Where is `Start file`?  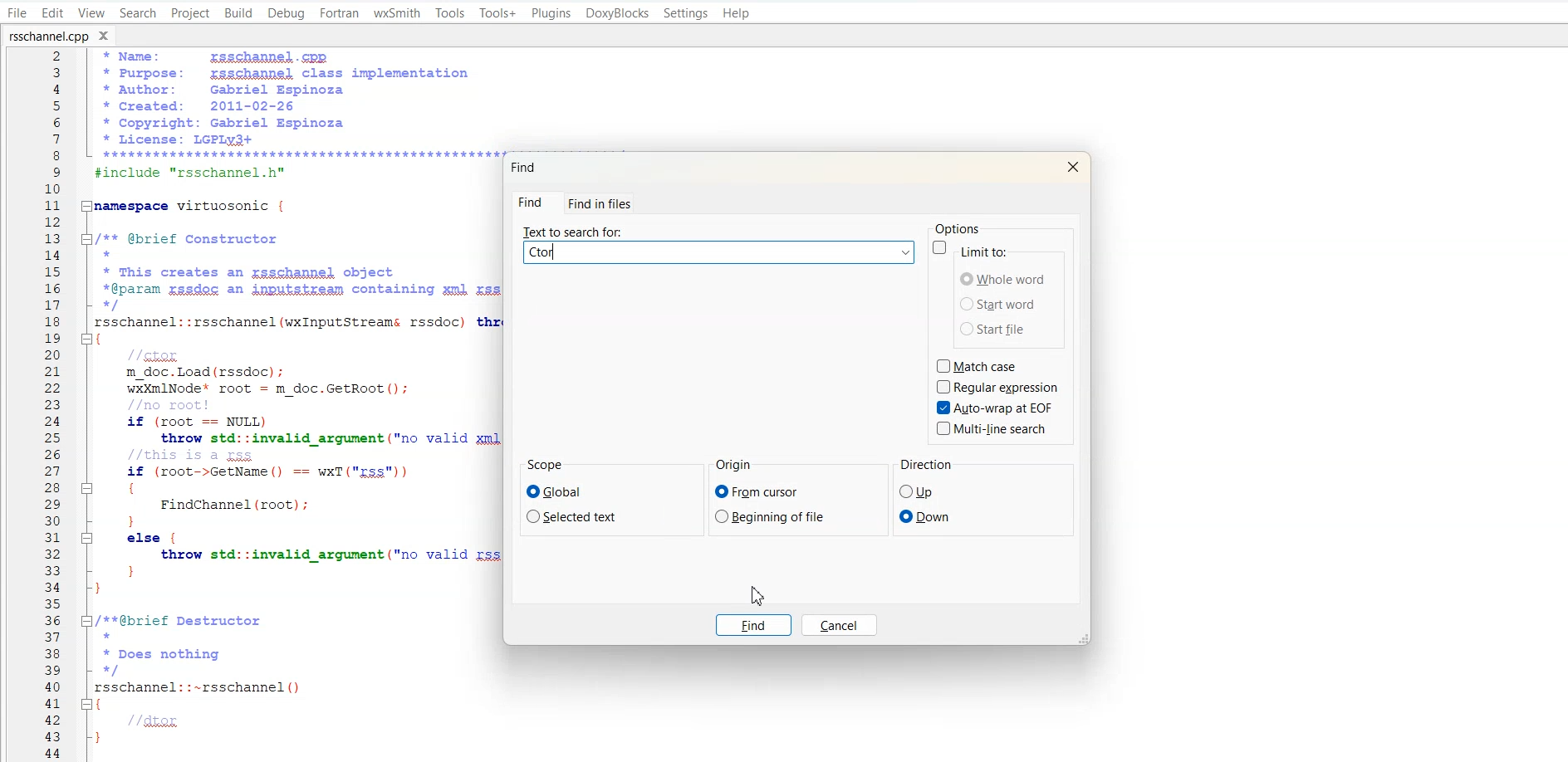 Start file is located at coordinates (999, 330).